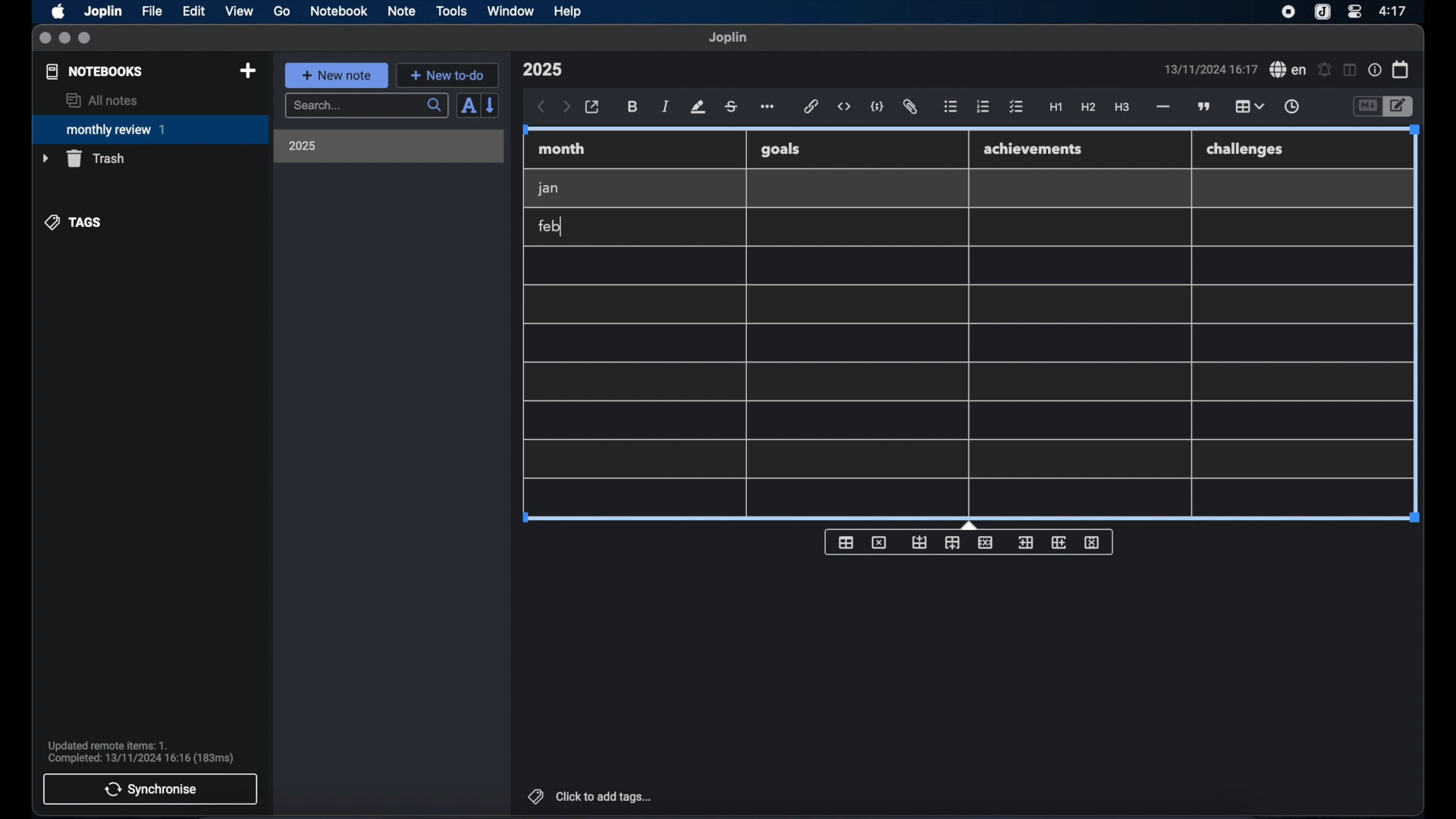 This screenshot has height=819, width=1456. Describe the element at coordinates (634, 107) in the screenshot. I see `bold` at that location.